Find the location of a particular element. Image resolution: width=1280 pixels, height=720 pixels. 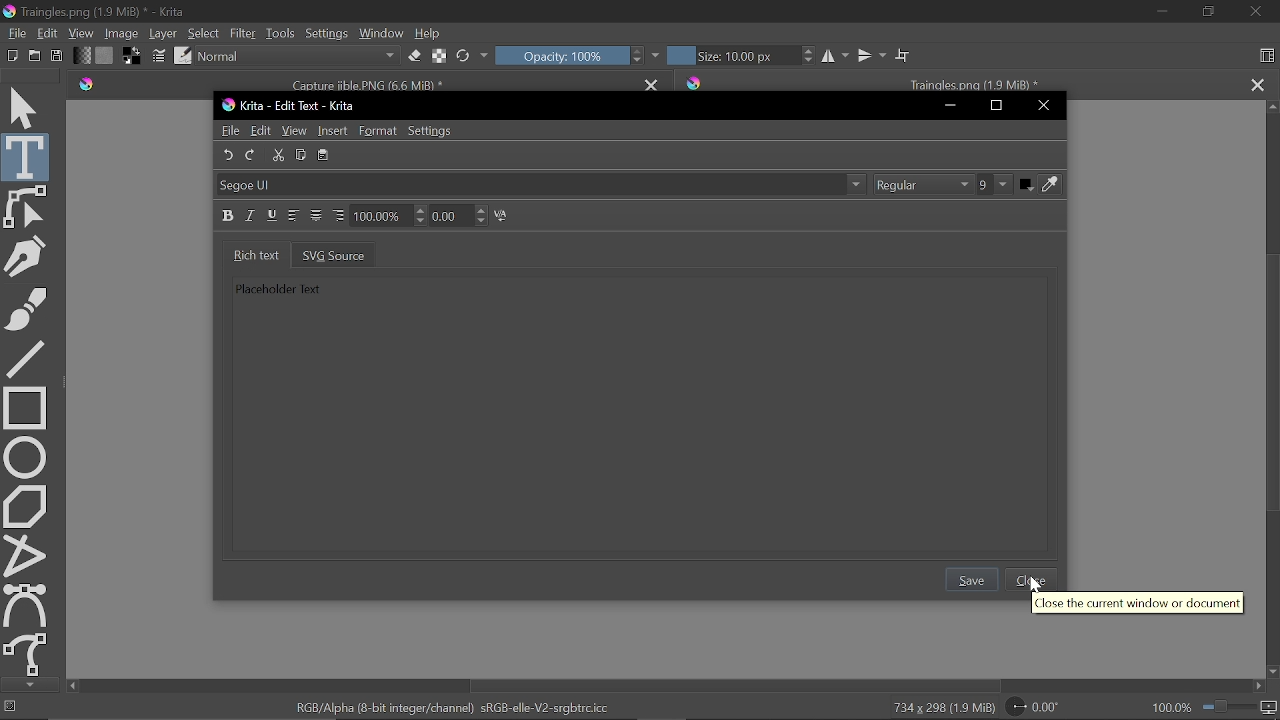

Font style is located at coordinates (923, 185).